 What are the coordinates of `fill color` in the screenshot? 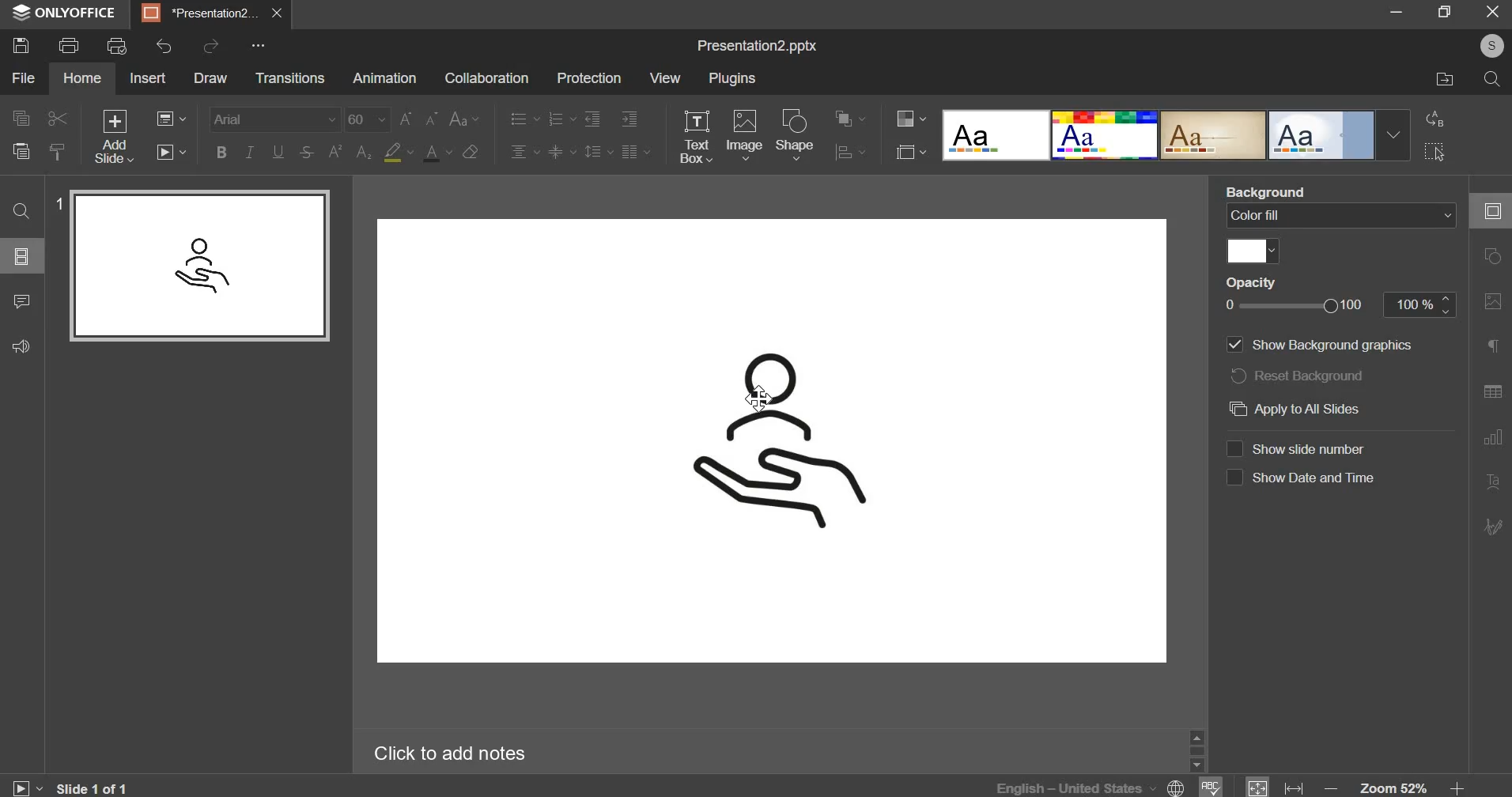 It's located at (1249, 253).